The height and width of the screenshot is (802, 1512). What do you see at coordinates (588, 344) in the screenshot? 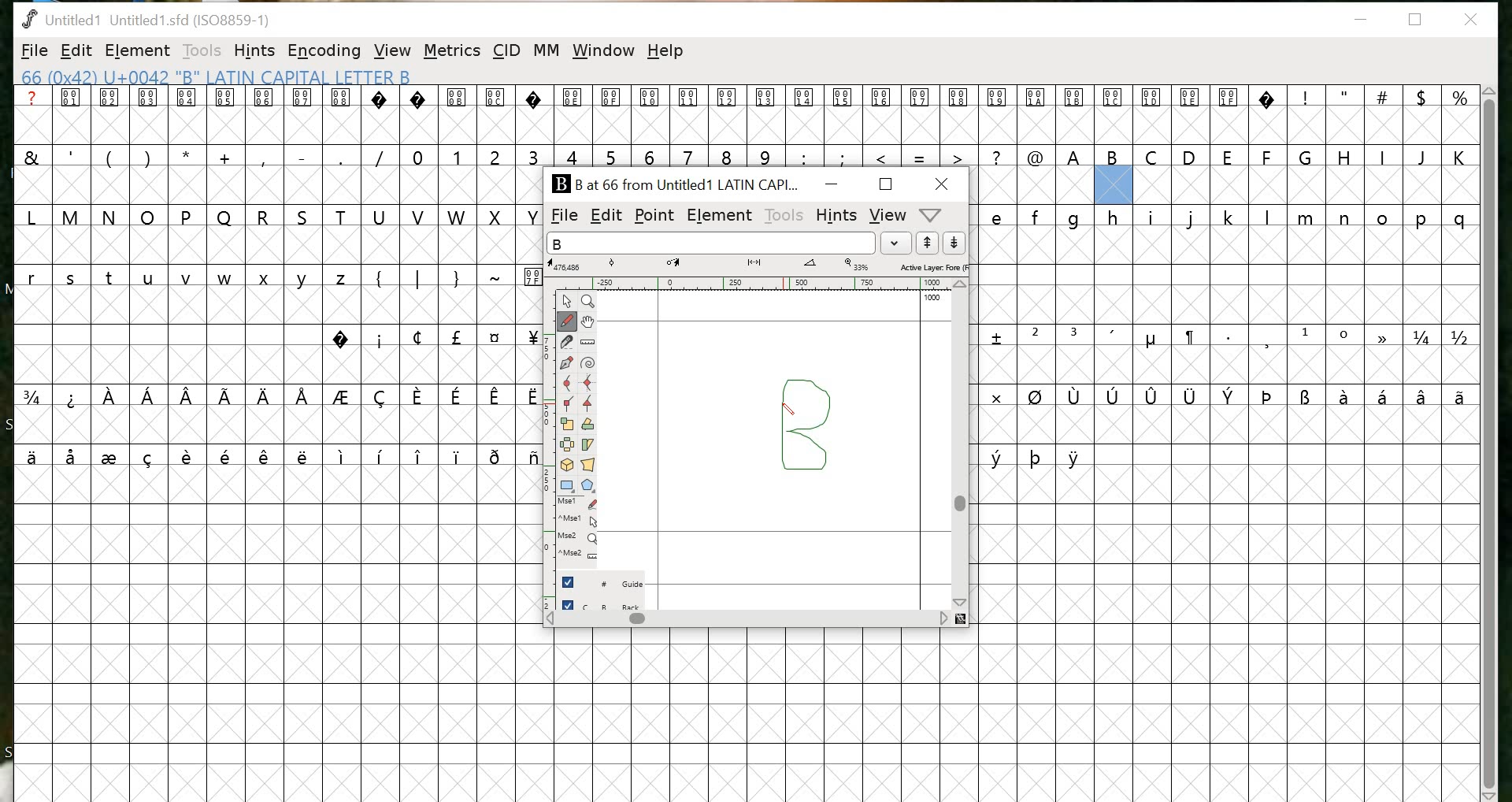
I see `Ruler` at bounding box center [588, 344].